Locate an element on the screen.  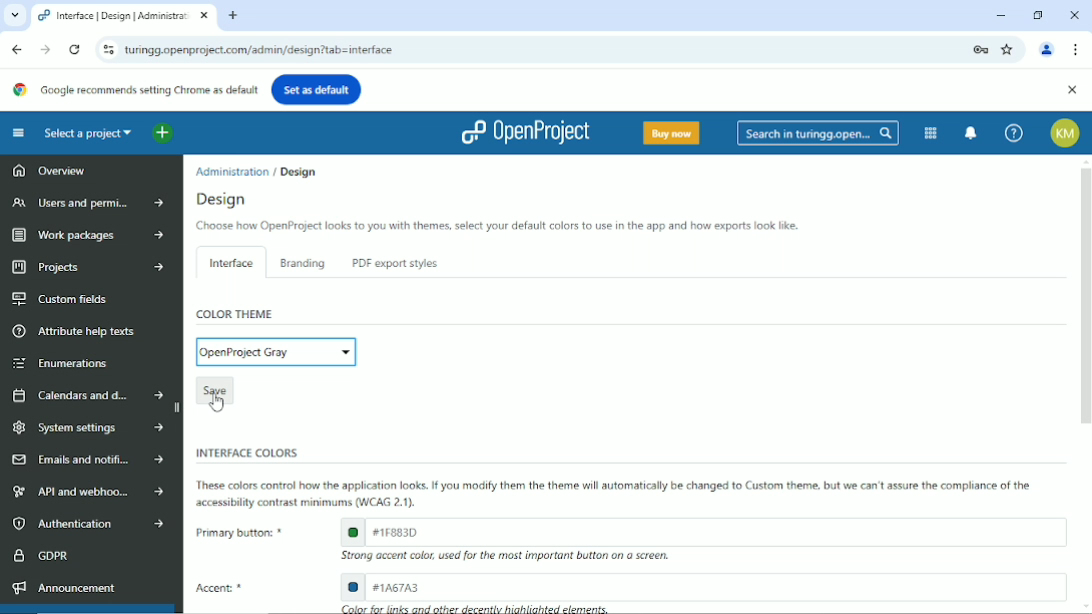
Calendars and dates is located at coordinates (87, 393).